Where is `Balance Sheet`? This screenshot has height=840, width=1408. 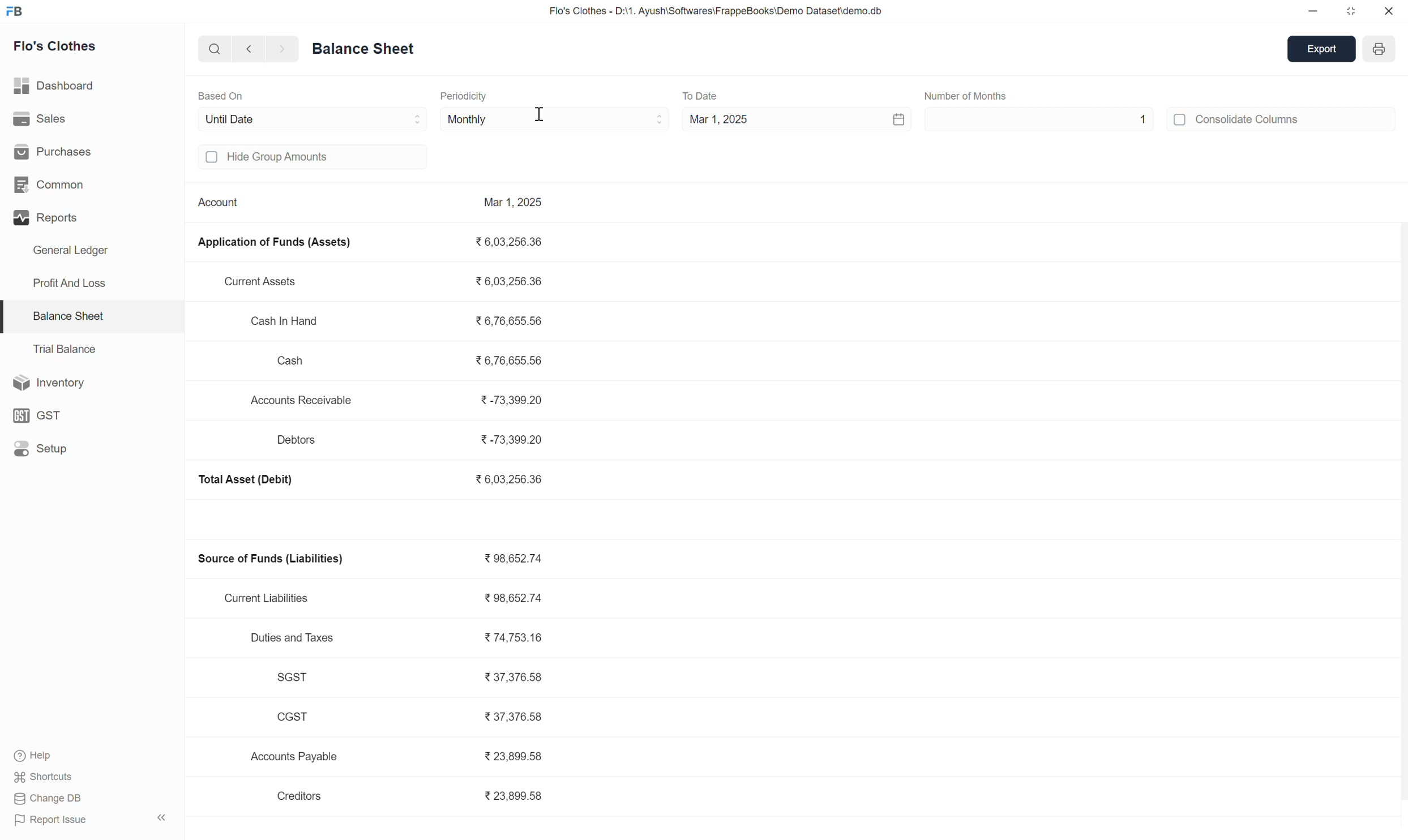
Balance Sheet is located at coordinates (74, 318).